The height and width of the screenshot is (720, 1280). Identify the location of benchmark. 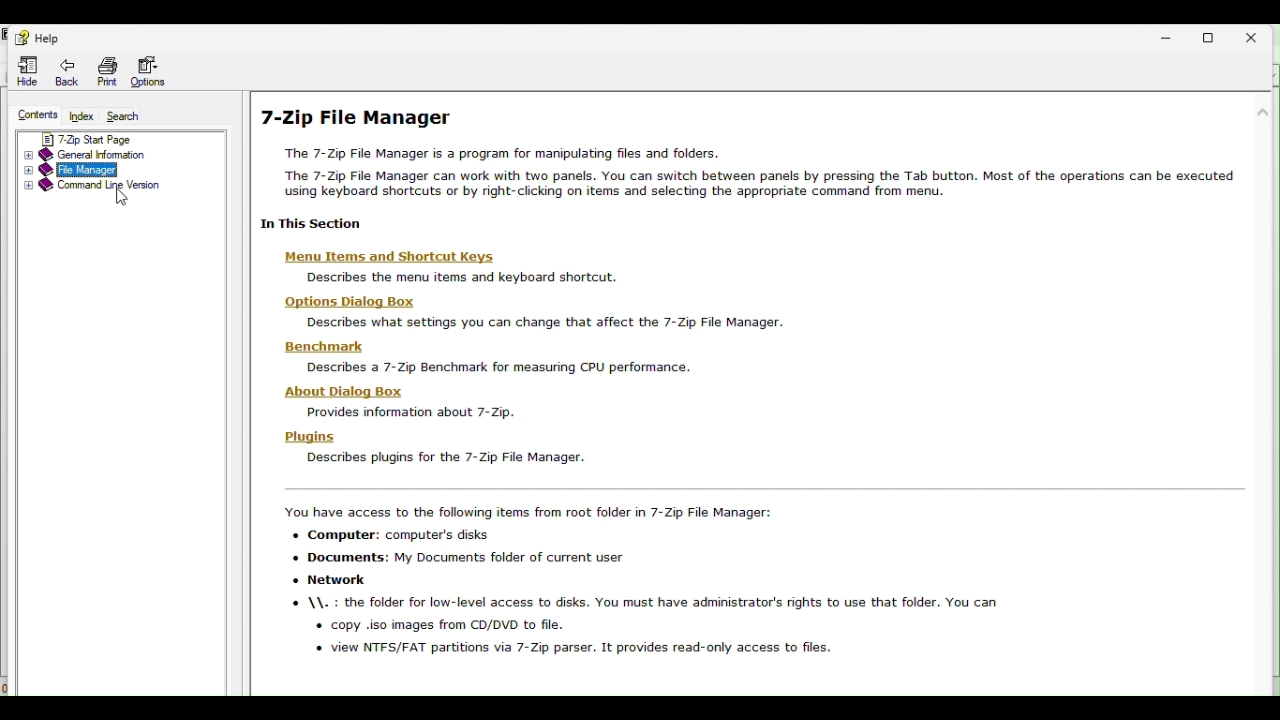
(328, 348).